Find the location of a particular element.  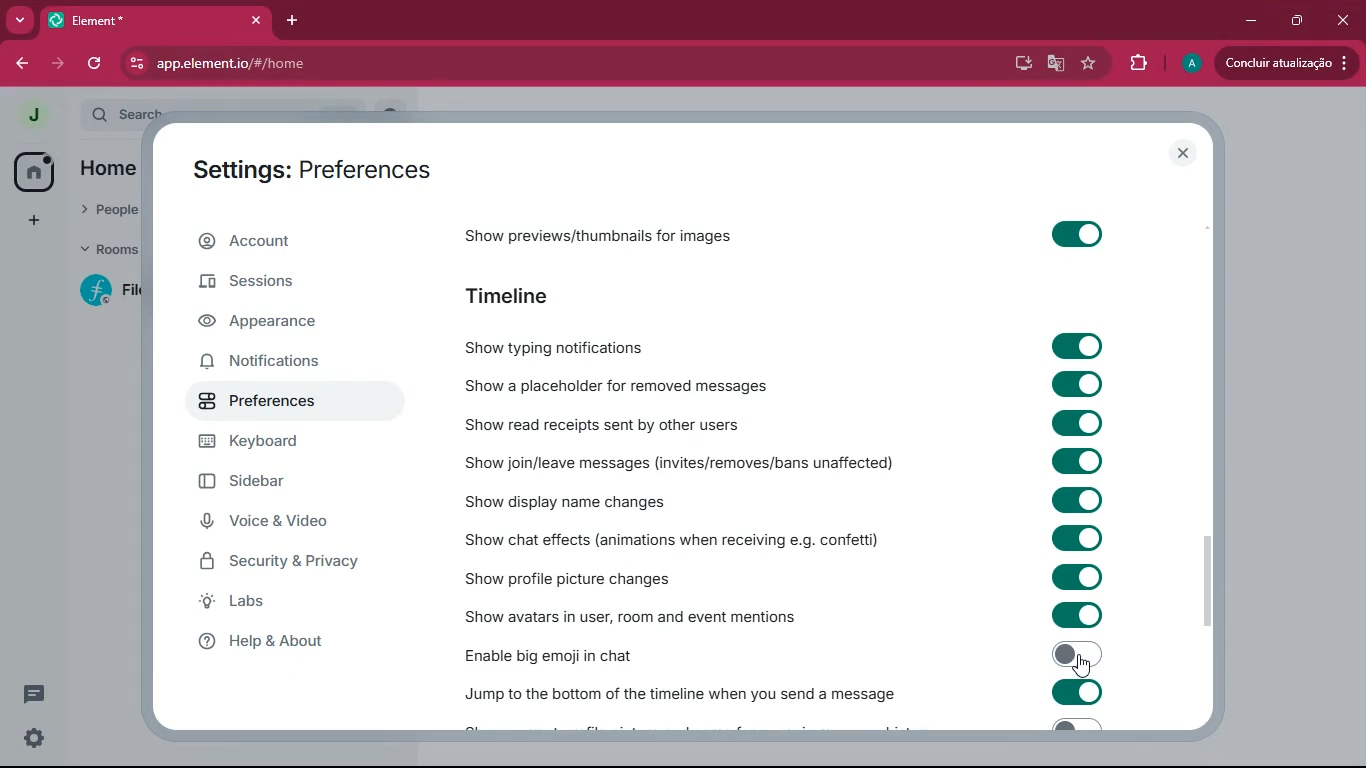

toggle on  is located at coordinates (1076, 422).